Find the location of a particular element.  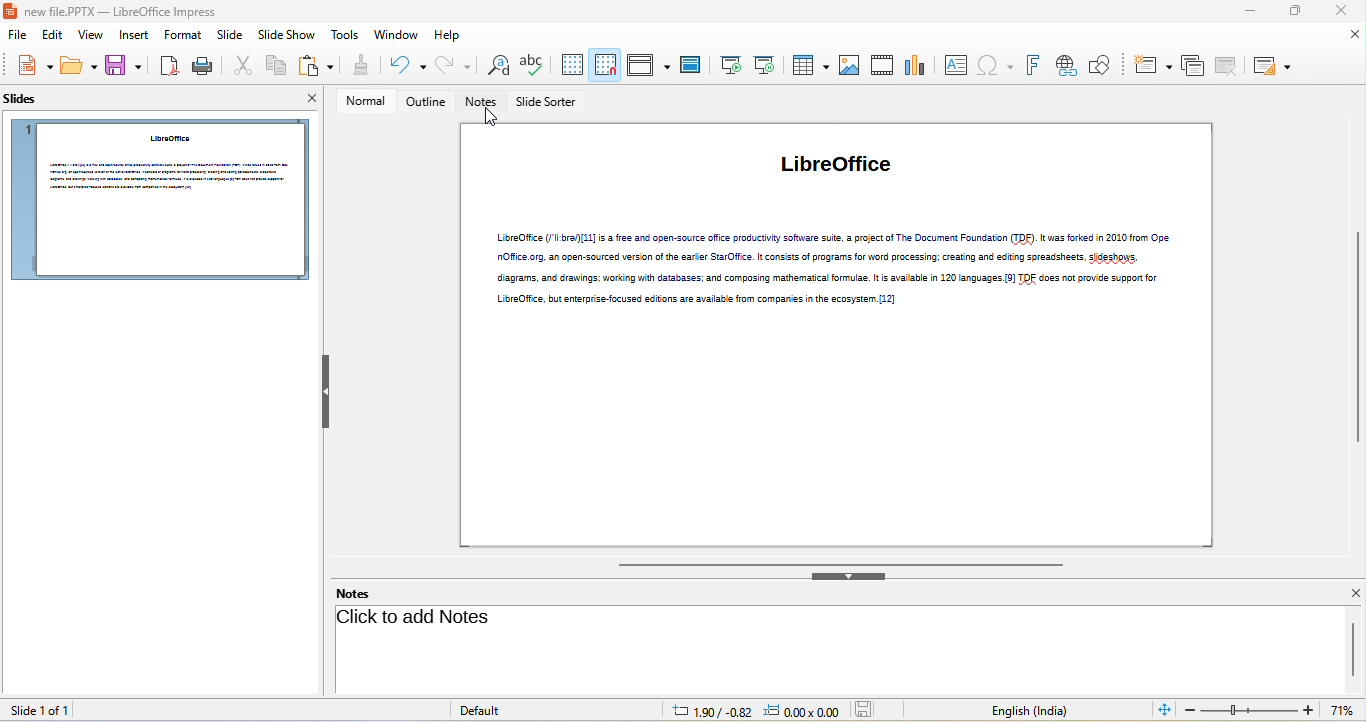

close is located at coordinates (1354, 593).